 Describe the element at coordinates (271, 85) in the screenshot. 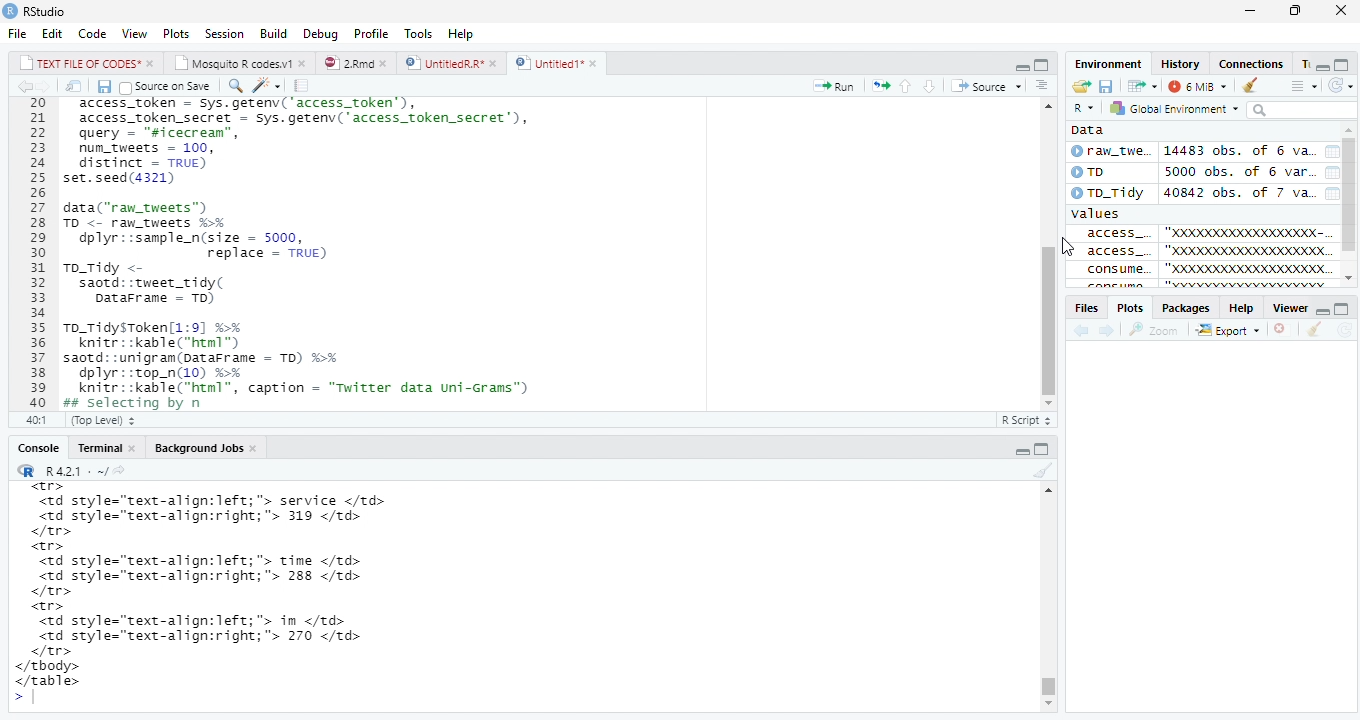

I see `code tools` at that location.